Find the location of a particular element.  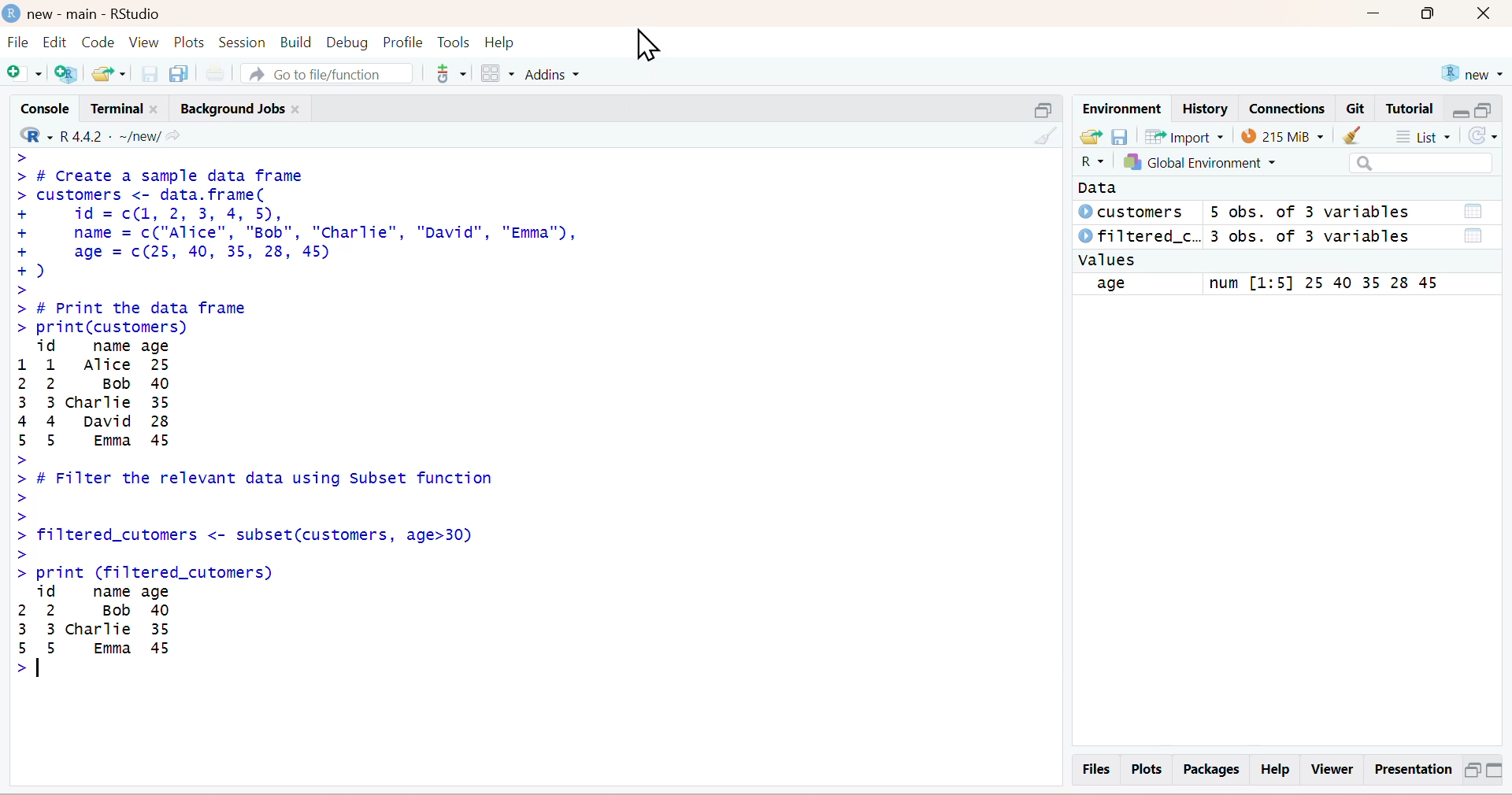

Maximize is located at coordinates (1434, 17).